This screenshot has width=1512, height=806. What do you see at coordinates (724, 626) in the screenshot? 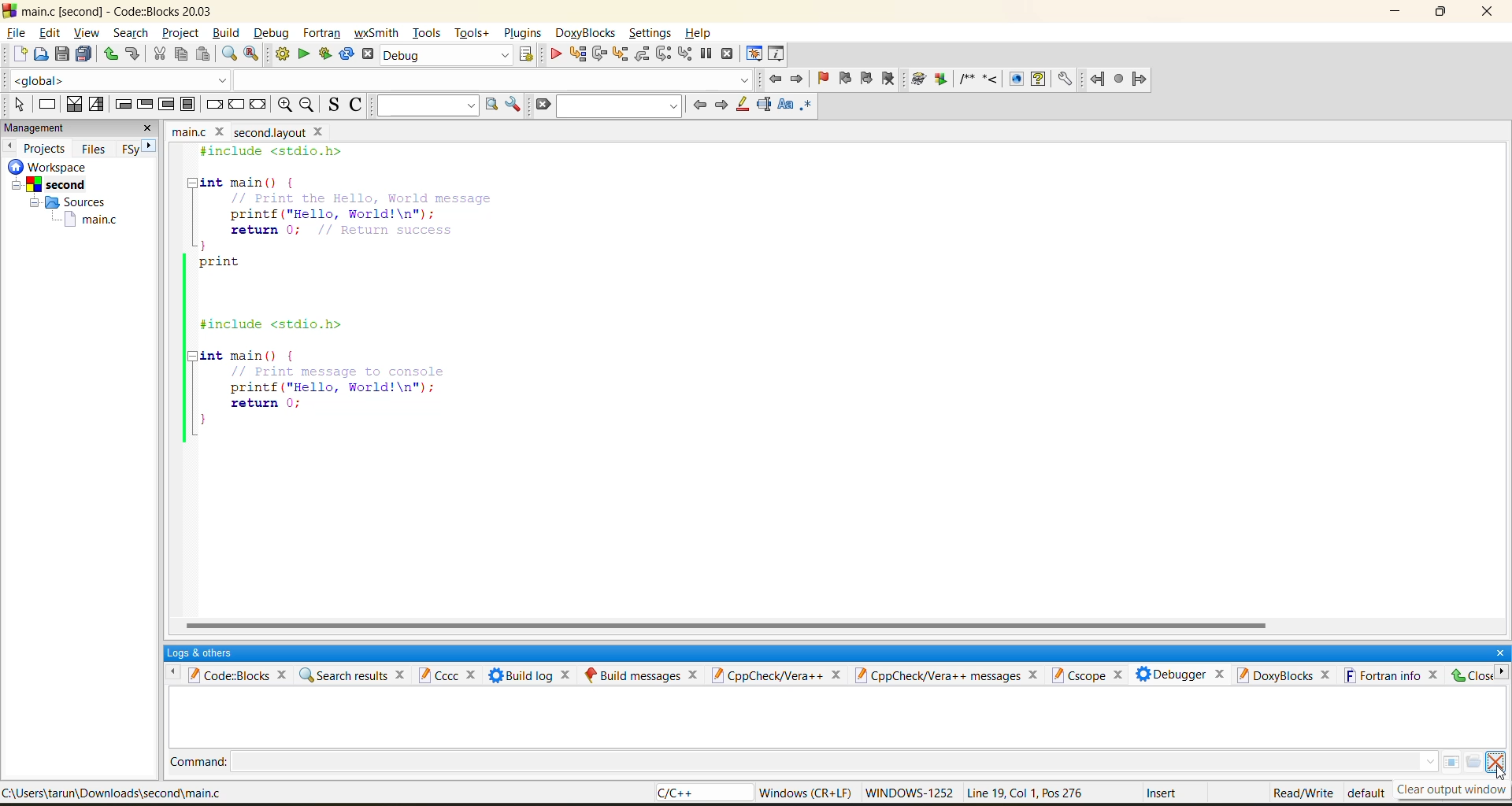
I see `horizontal scroll bar` at bounding box center [724, 626].